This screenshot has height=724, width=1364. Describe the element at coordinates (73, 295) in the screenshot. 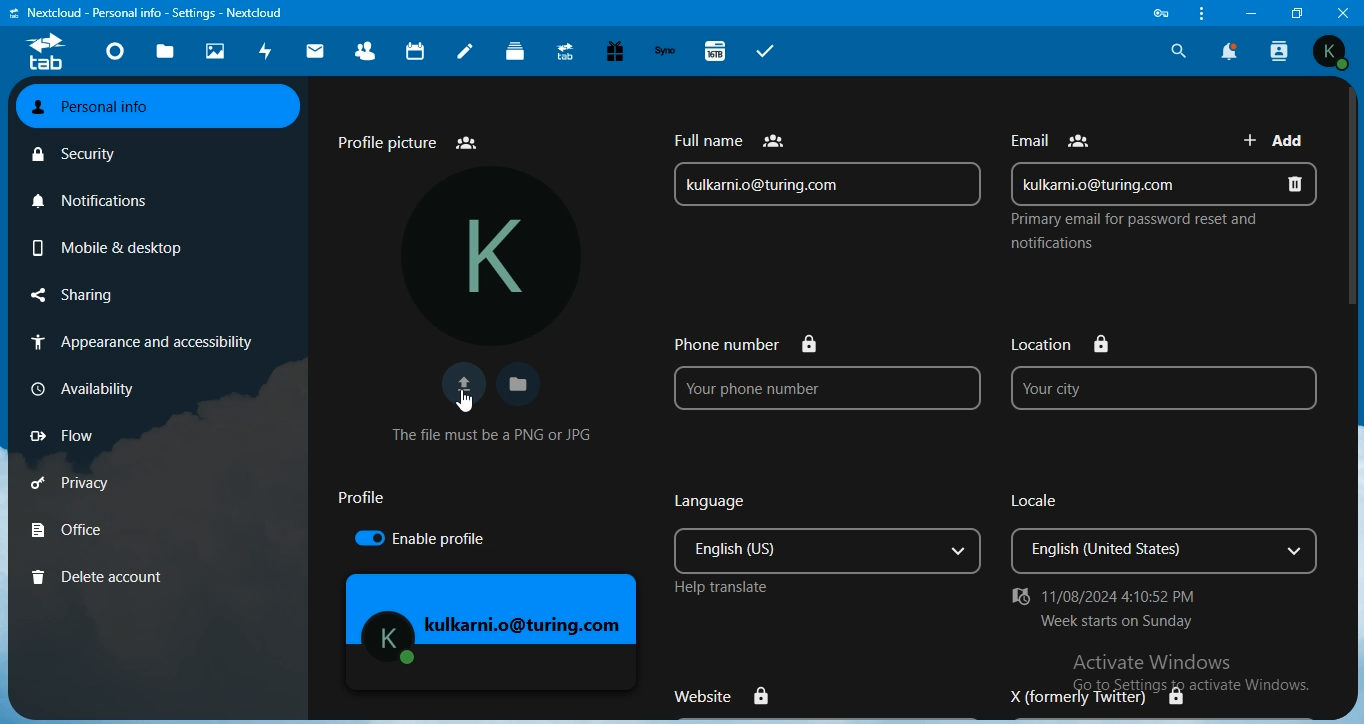

I see `sharing` at that location.